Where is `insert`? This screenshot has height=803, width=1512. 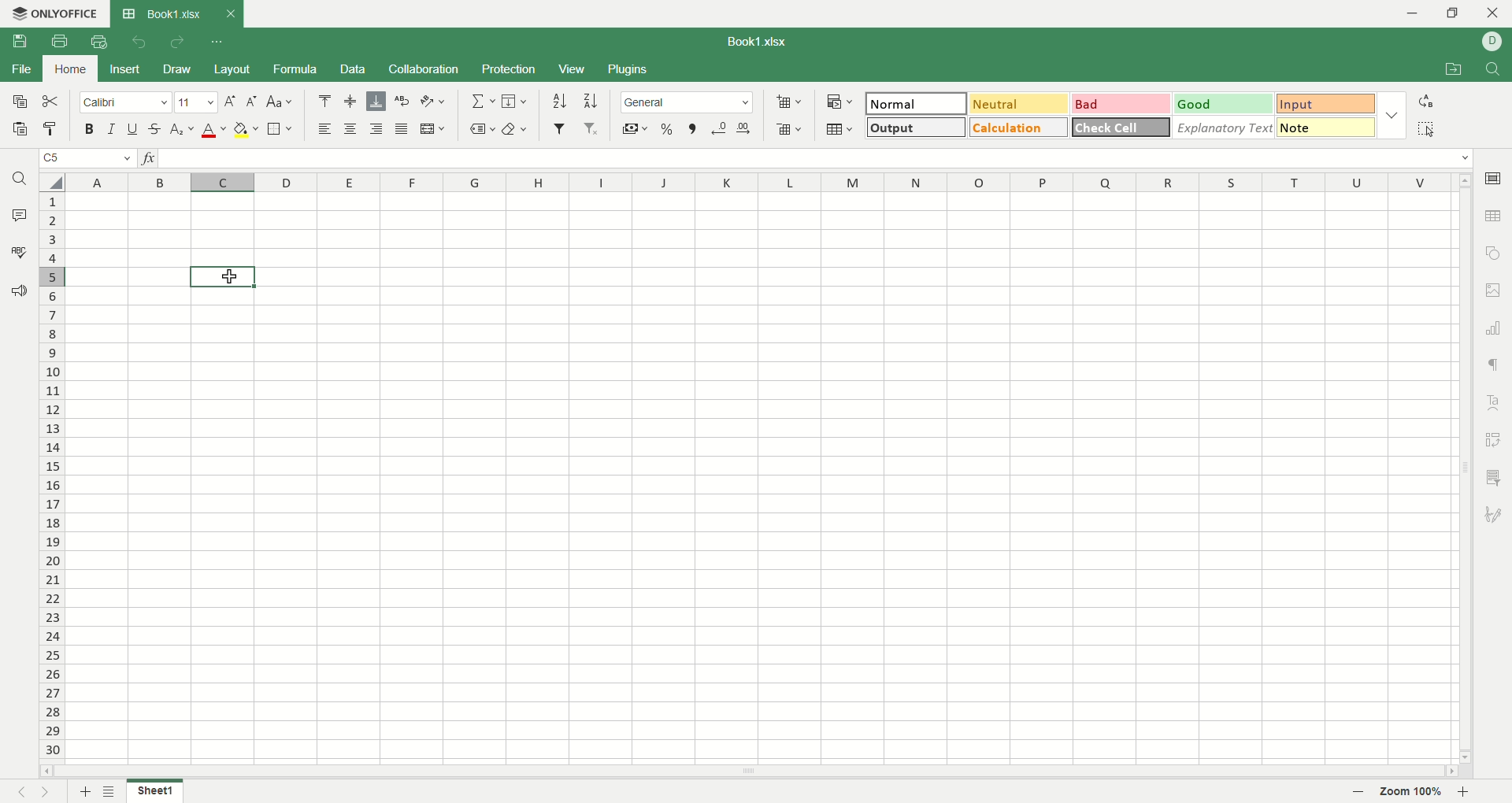 insert is located at coordinates (126, 68).